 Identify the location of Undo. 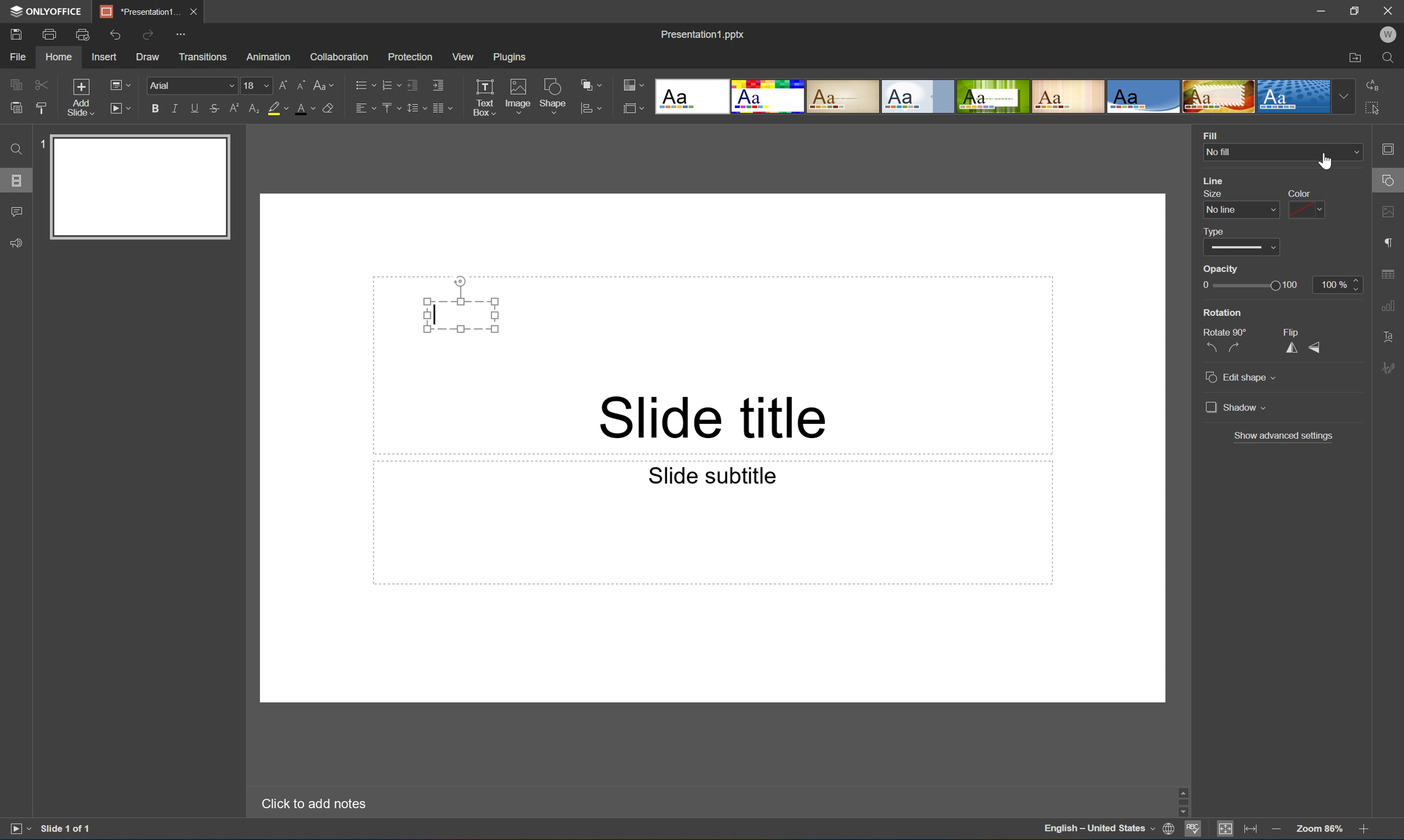
(113, 35).